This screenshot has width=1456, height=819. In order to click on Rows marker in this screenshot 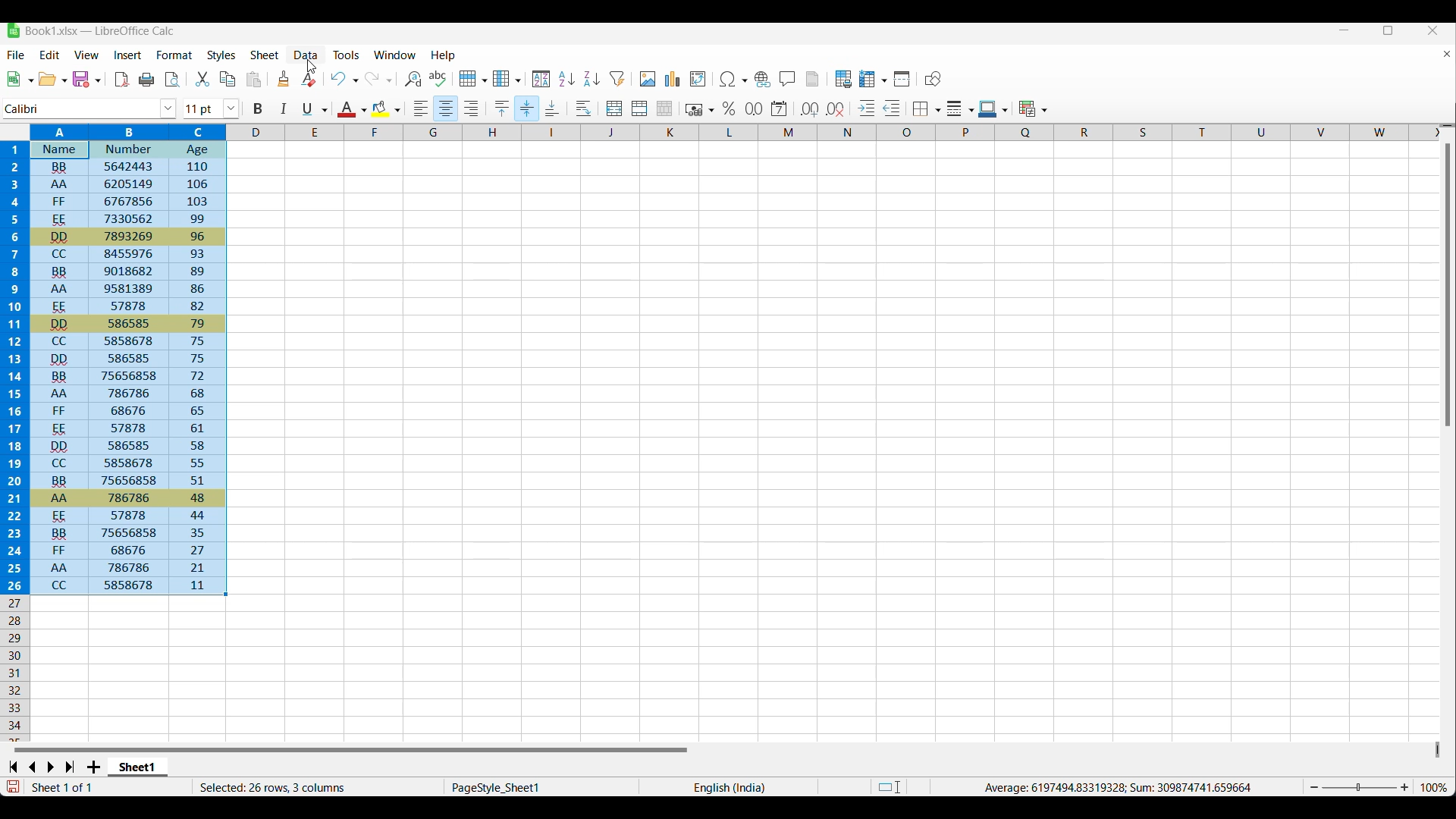, I will do `click(17, 669)`.